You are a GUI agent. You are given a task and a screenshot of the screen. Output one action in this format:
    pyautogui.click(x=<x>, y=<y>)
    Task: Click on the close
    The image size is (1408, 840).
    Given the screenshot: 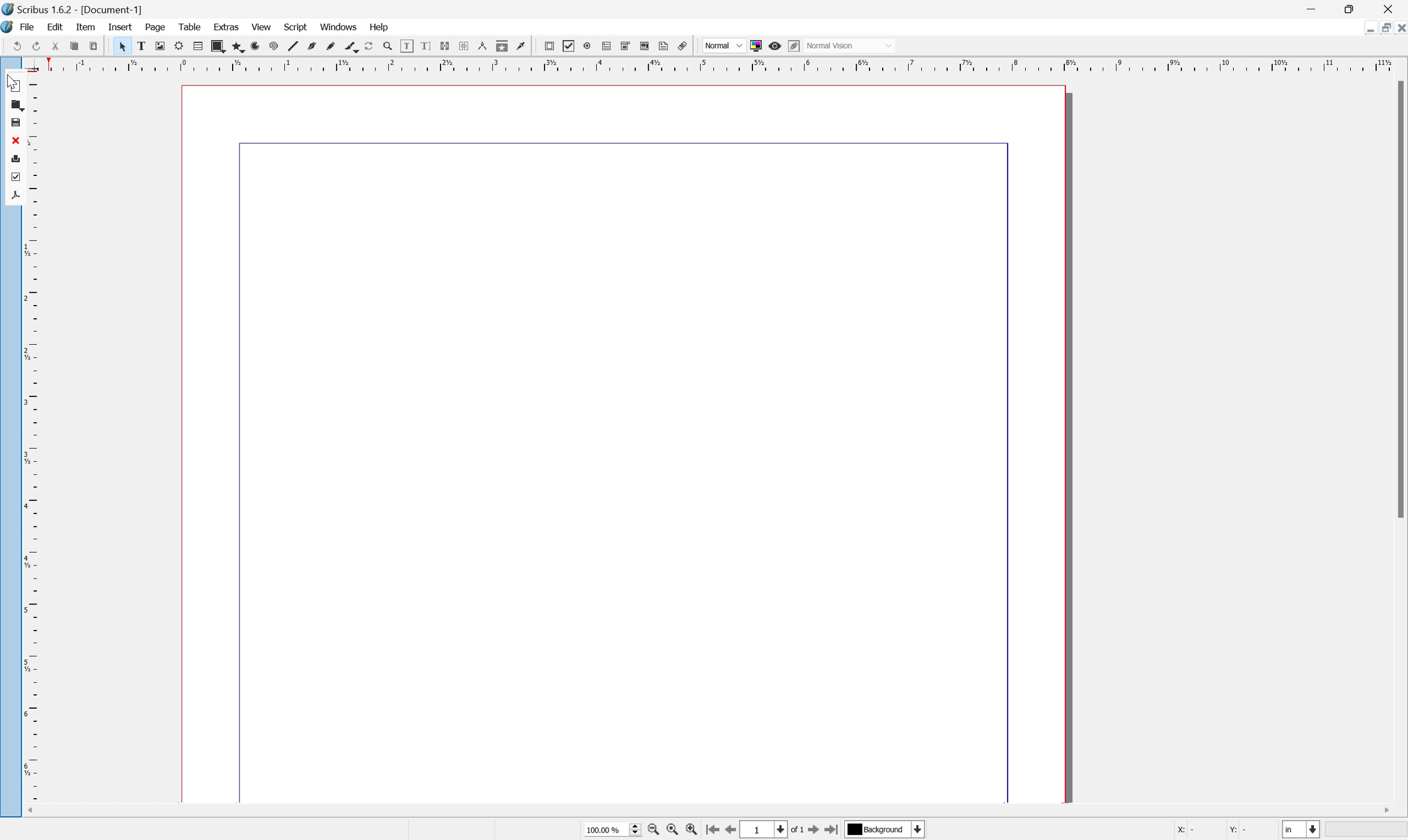 What is the action you would take?
    pyautogui.click(x=1399, y=29)
    